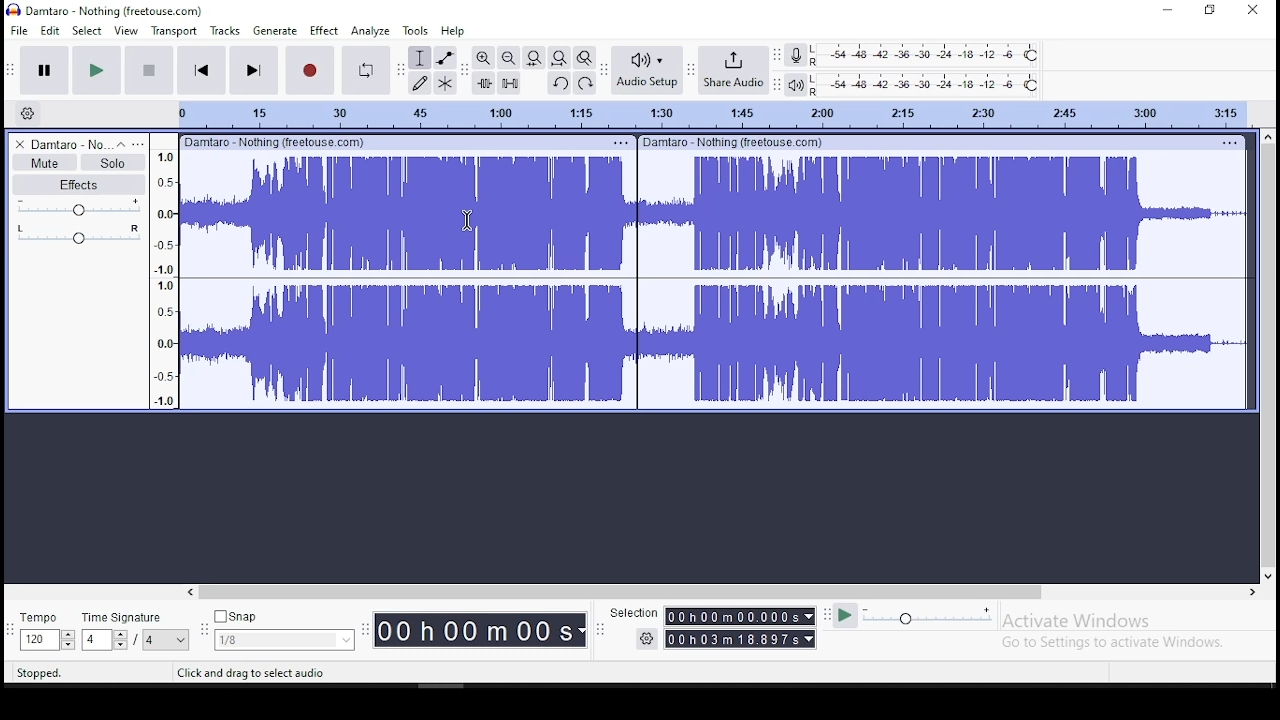 This screenshot has width=1280, height=720. What do you see at coordinates (44, 68) in the screenshot?
I see `pause` at bounding box center [44, 68].